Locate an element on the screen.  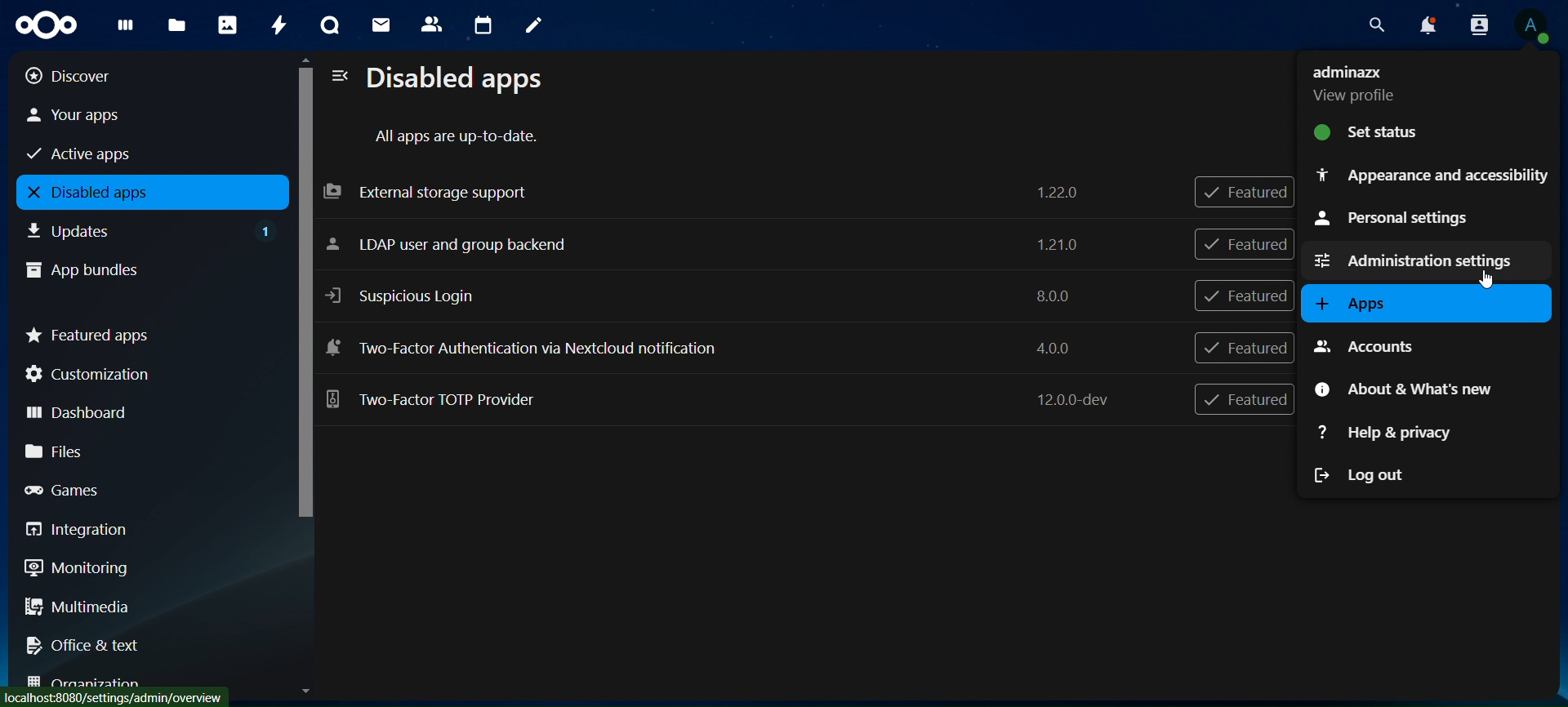
office & text is located at coordinates (138, 642).